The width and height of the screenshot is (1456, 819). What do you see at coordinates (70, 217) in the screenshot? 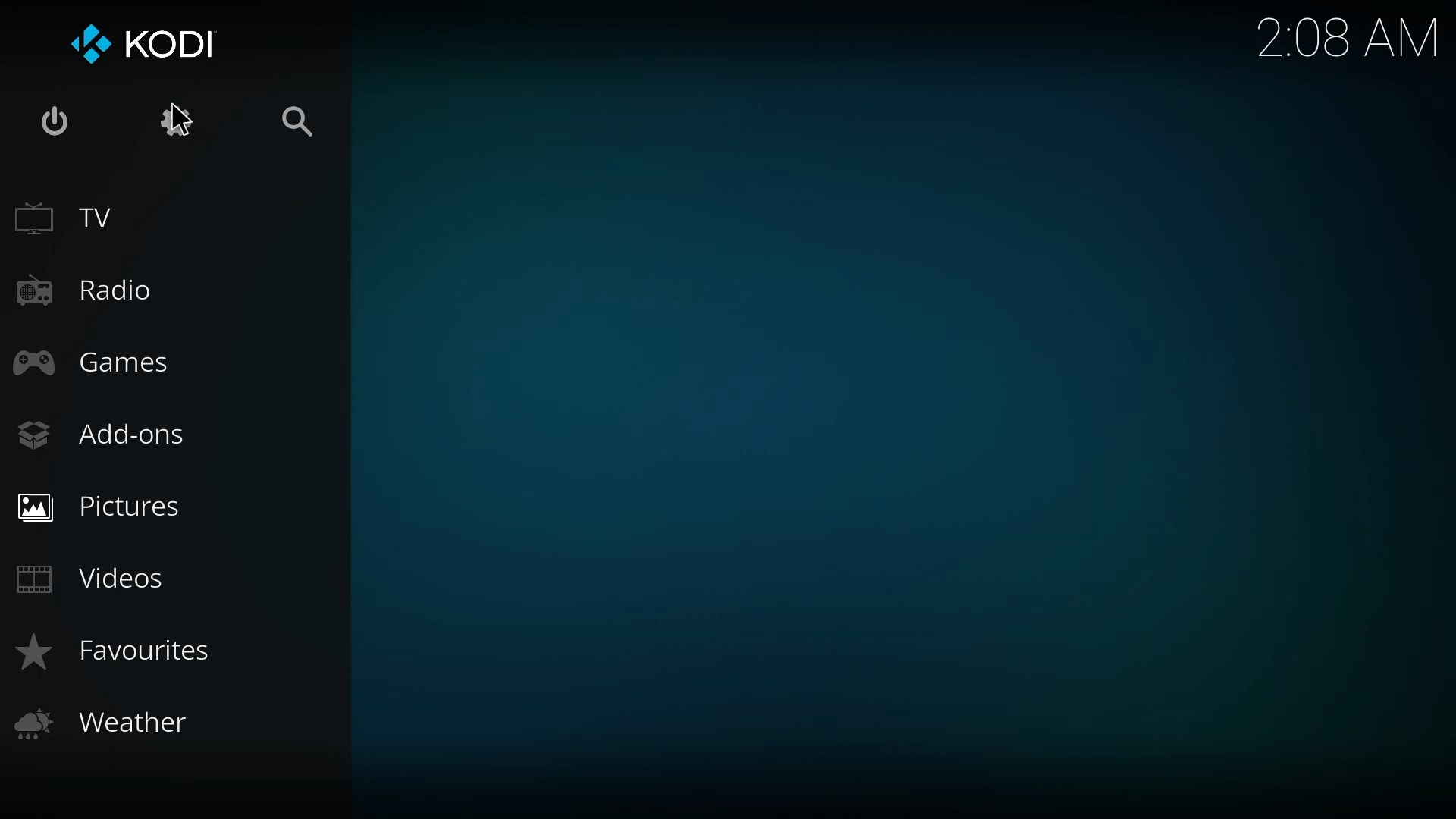
I see `tv` at bounding box center [70, 217].